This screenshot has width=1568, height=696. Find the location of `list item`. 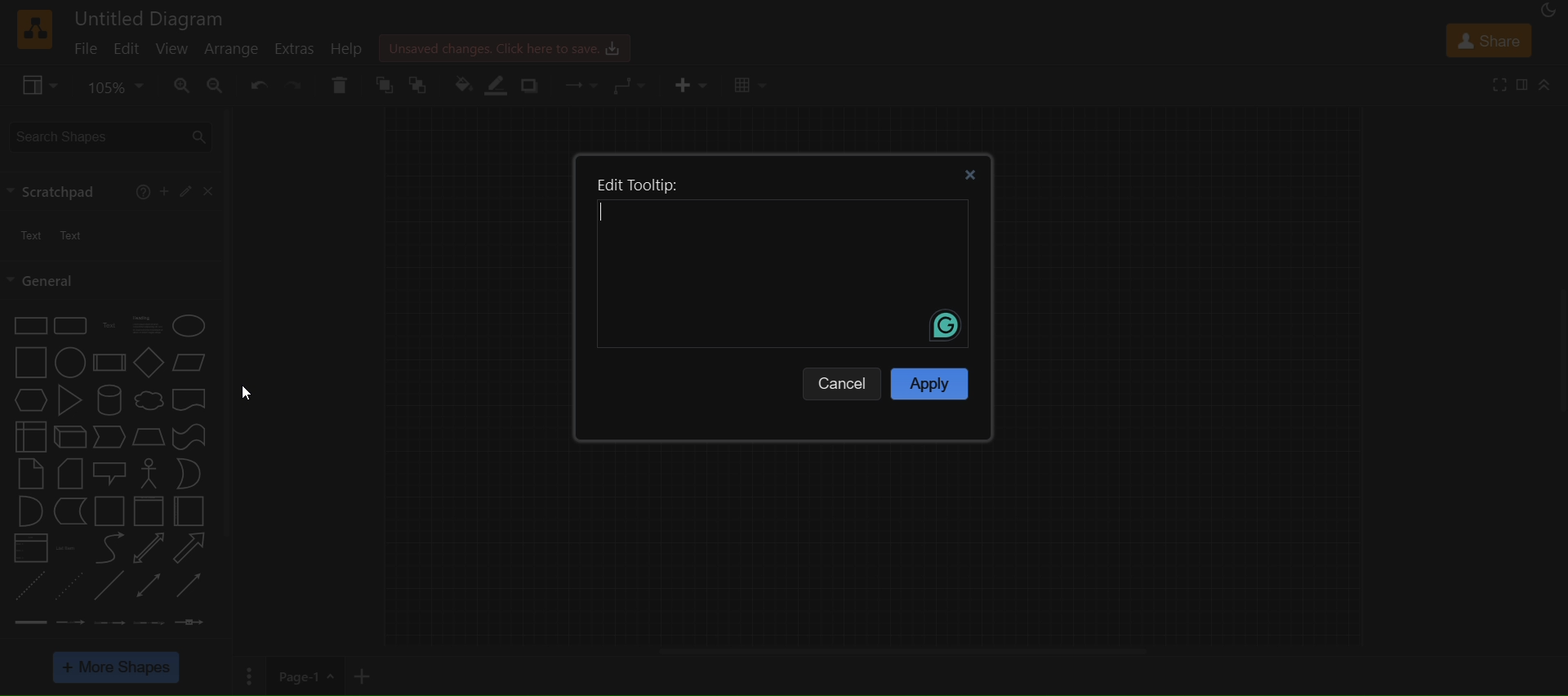

list item is located at coordinates (68, 548).